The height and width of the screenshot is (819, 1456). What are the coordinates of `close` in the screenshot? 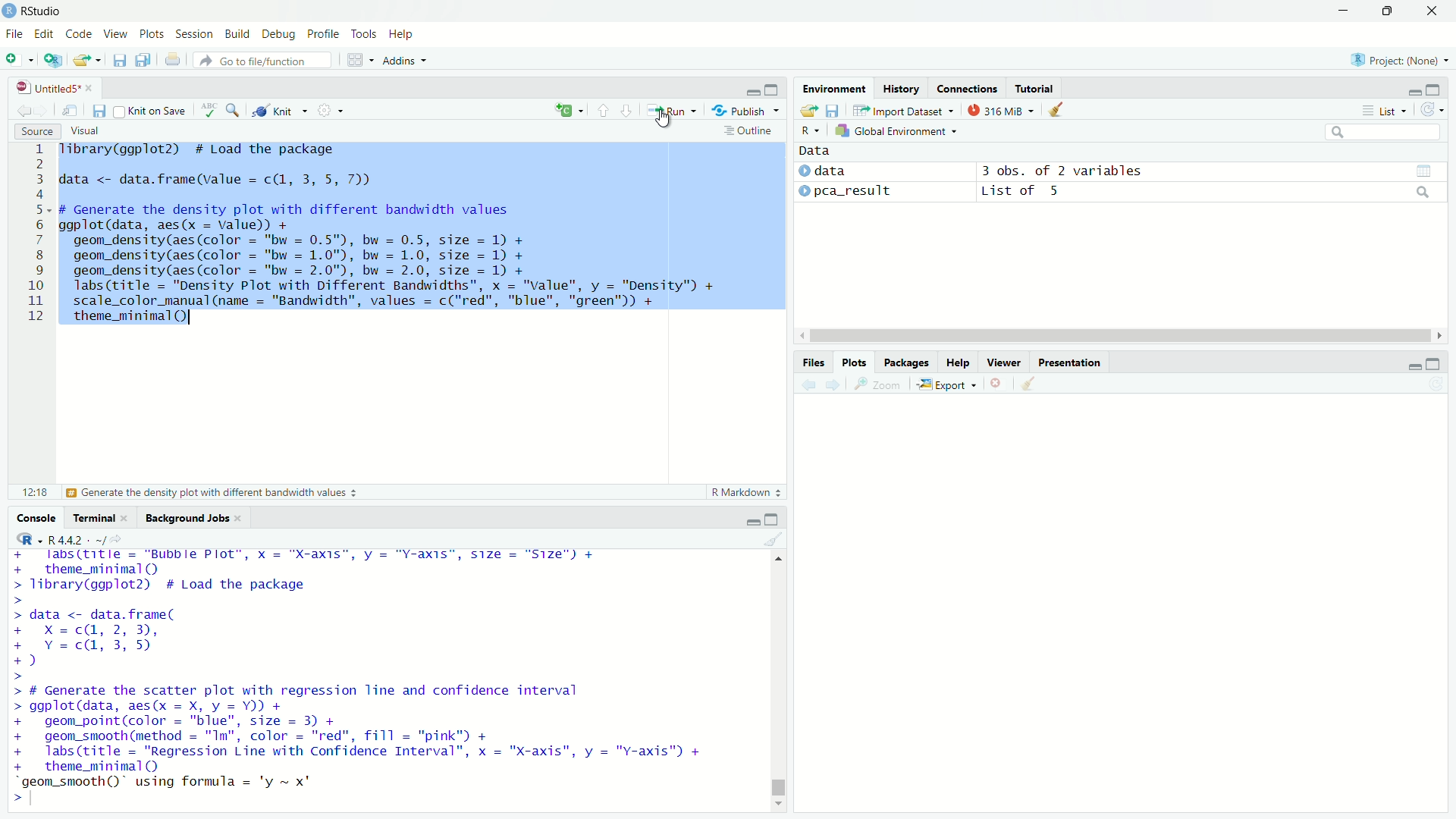 It's located at (1432, 11).